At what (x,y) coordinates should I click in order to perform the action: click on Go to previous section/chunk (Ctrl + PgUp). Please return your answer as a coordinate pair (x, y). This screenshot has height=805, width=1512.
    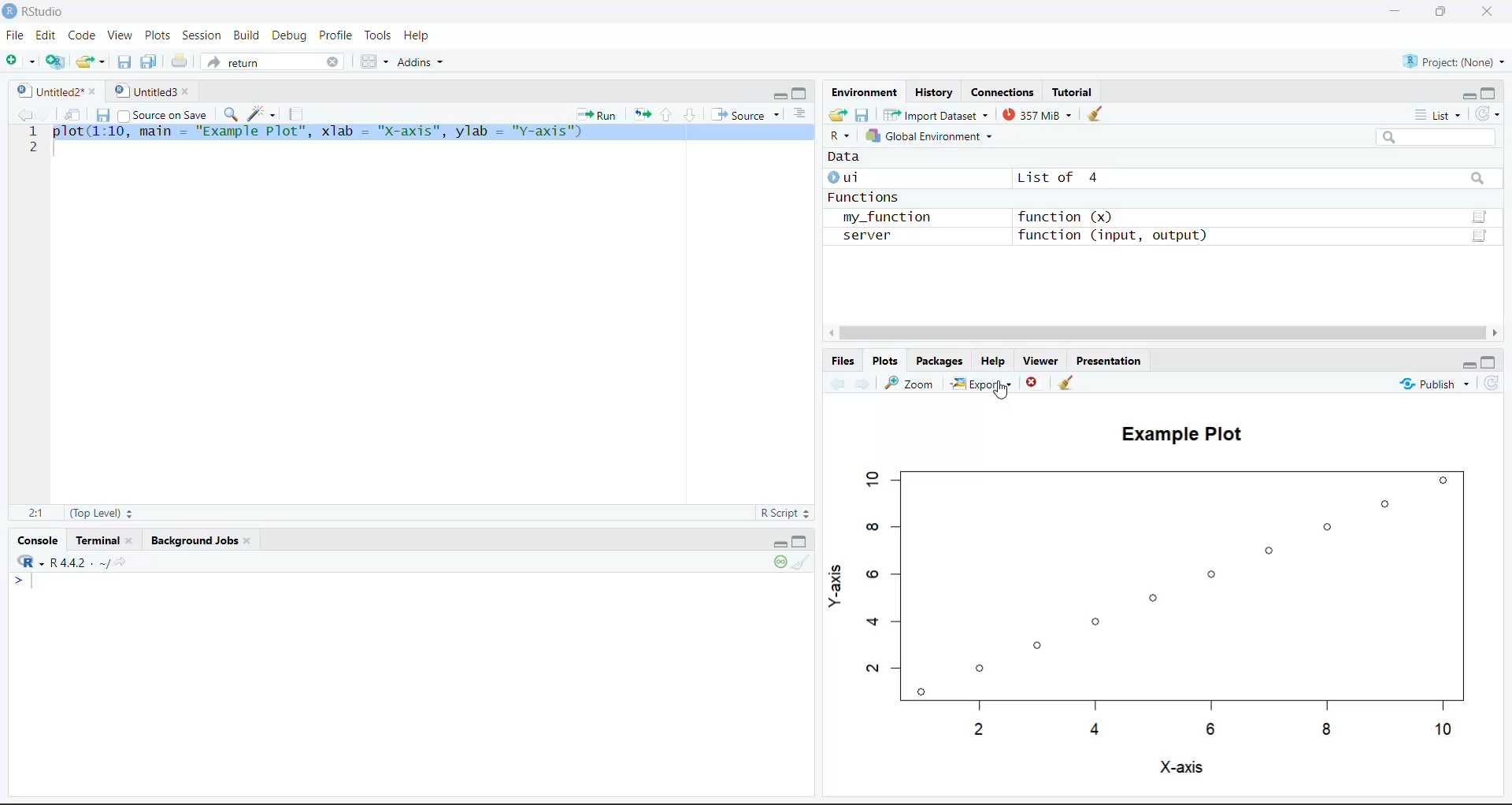
    Looking at the image, I should click on (666, 114).